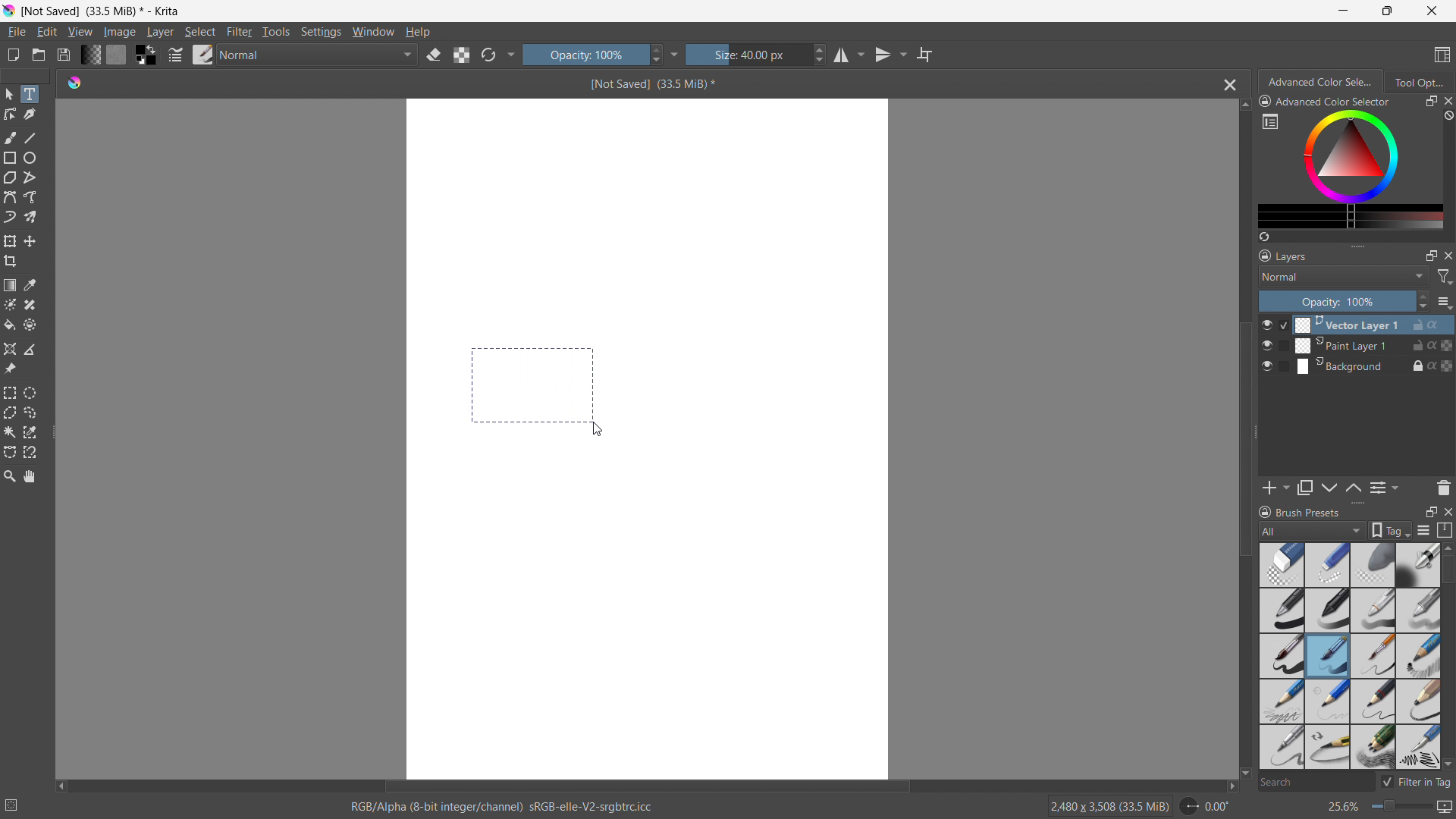 The width and height of the screenshot is (1456, 819). Describe the element at coordinates (1325, 101) in the screenshot. I see `advanced color selector` at that location.